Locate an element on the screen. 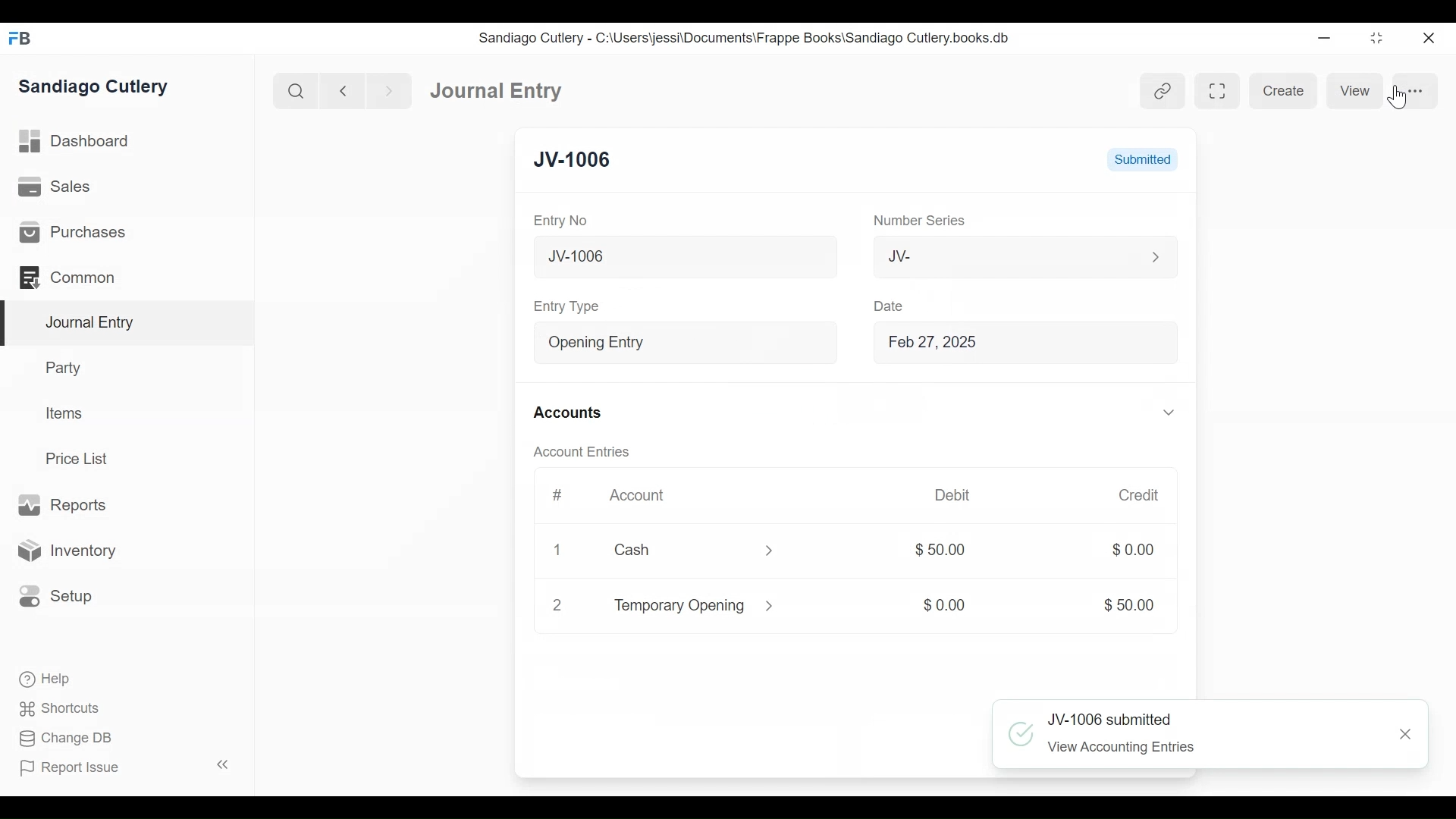  Cash is located at coordinates (673, 550).